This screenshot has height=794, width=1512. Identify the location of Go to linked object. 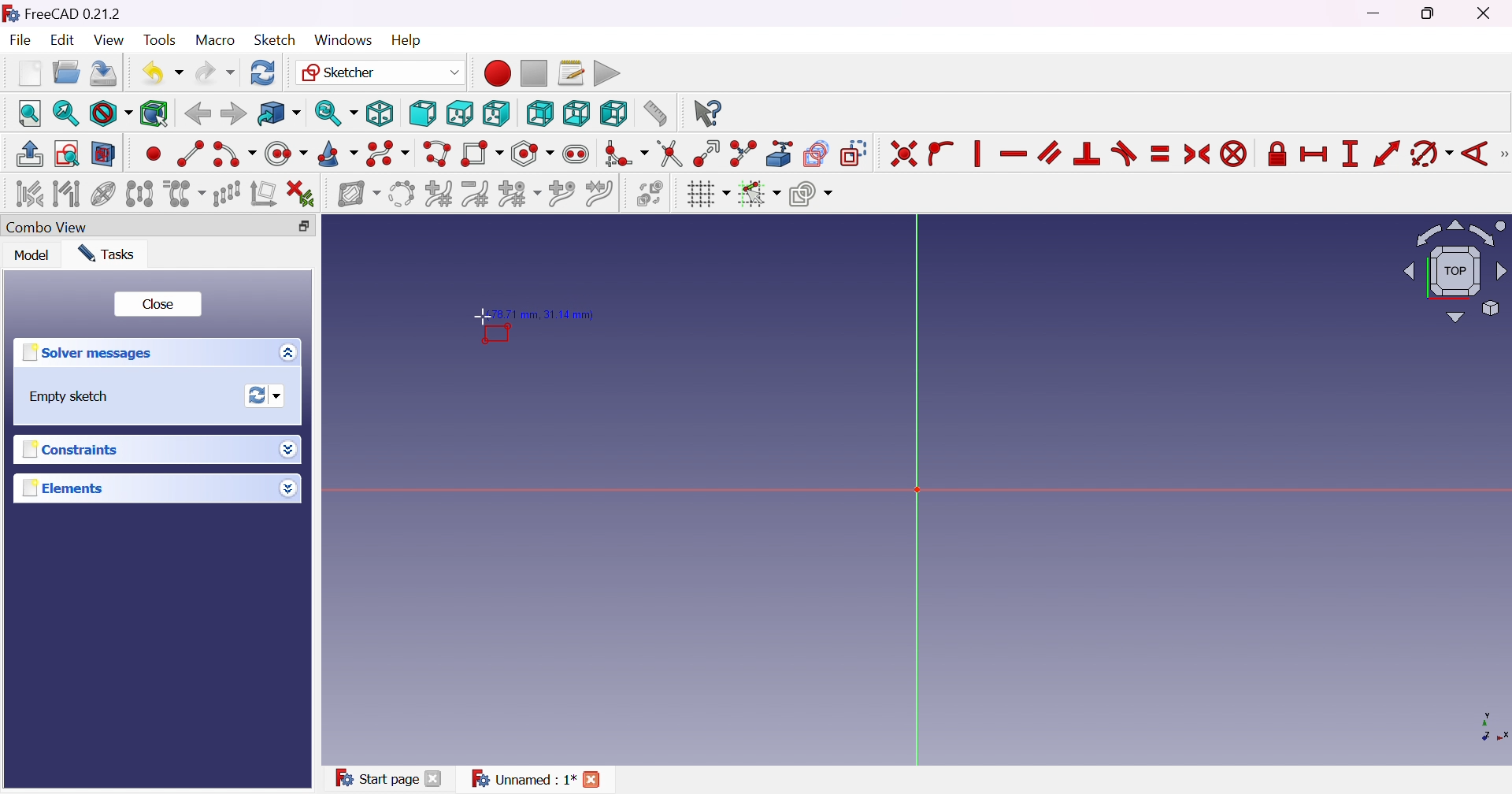
(278, 113).